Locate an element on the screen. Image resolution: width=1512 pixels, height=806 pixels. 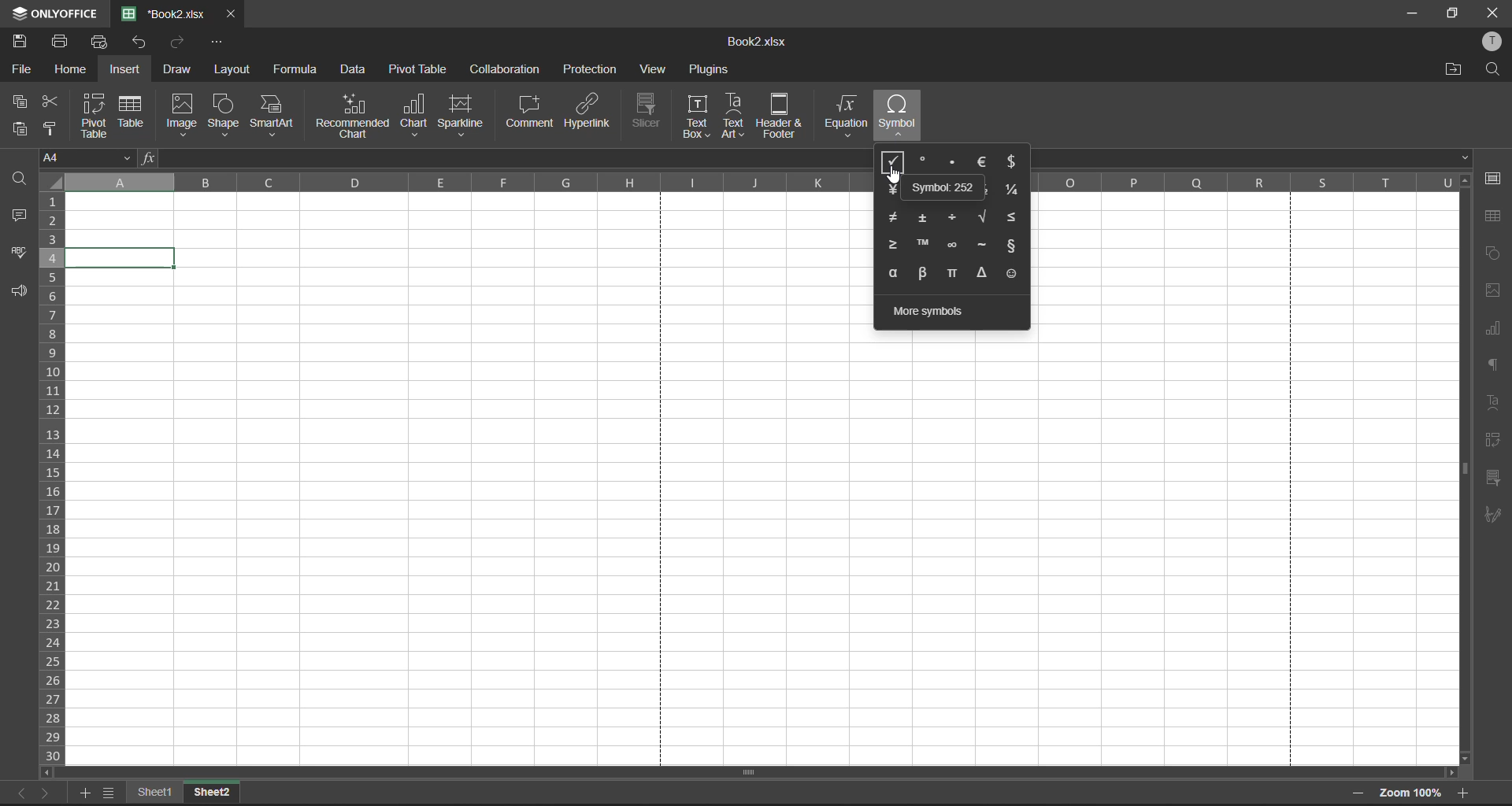
add sheet  is located at coordinates (84, 794).